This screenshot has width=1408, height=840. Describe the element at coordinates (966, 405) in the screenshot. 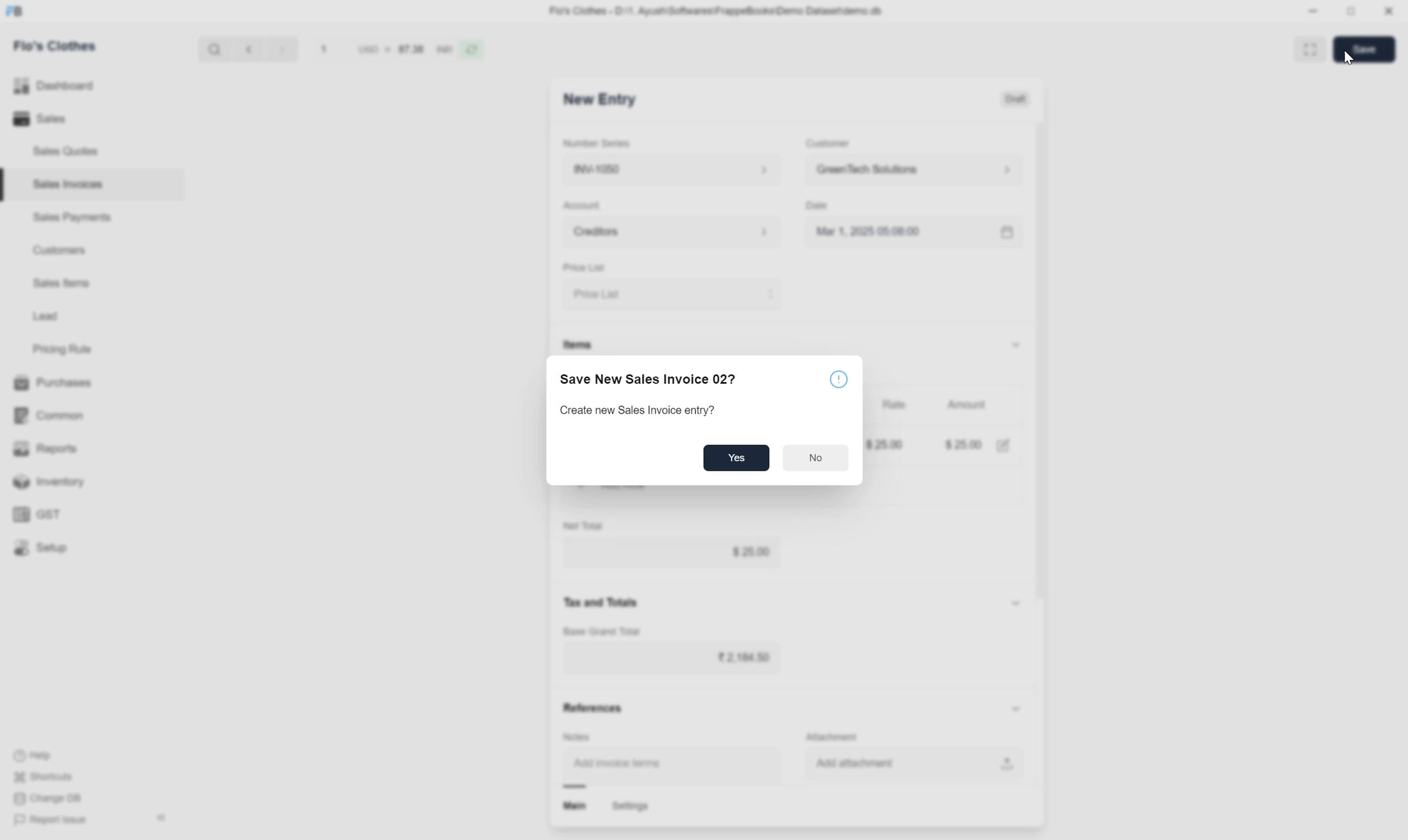

I see `Amount` at that location.